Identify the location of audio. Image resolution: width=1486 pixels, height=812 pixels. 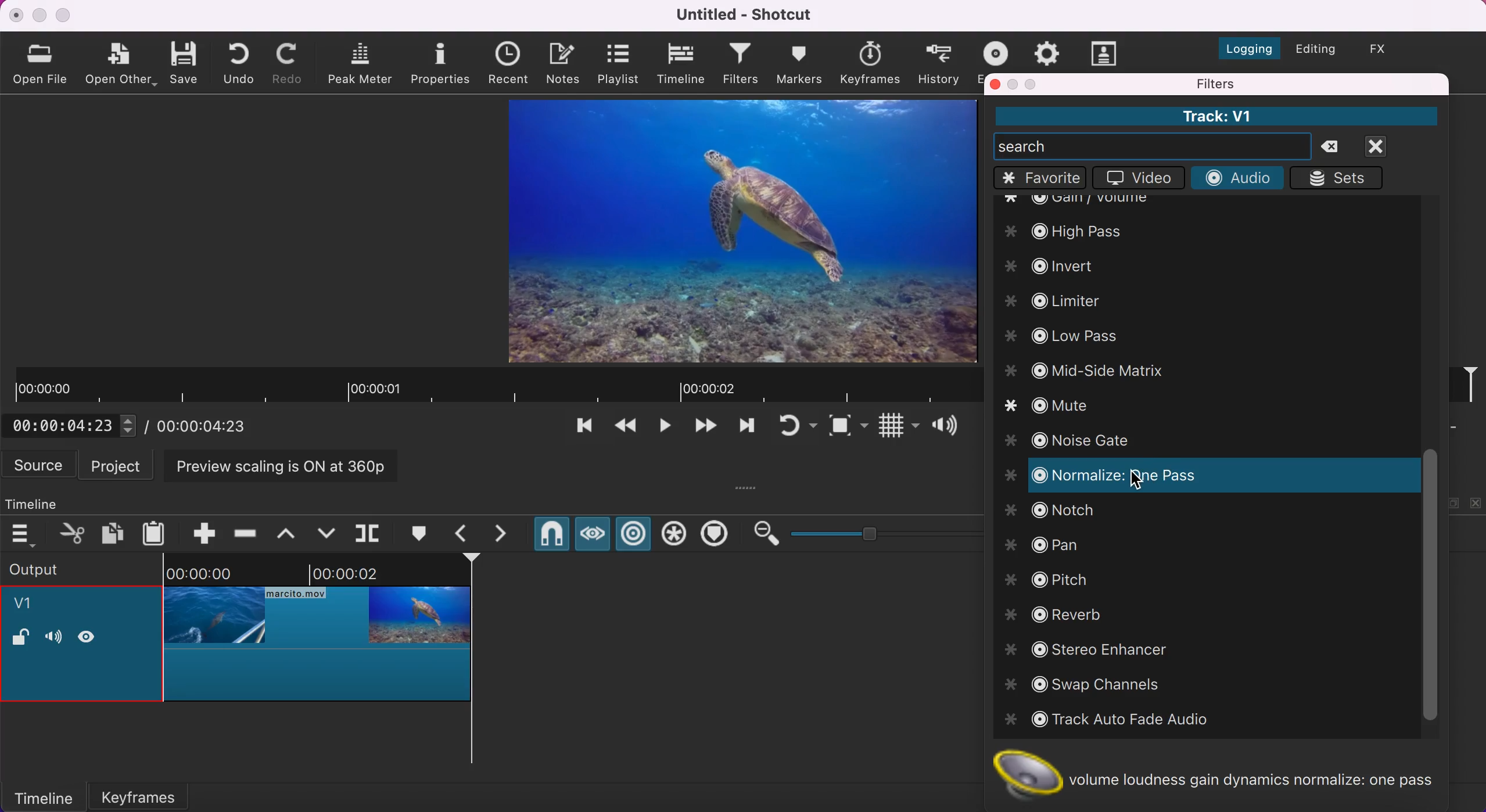
(1236, 177).